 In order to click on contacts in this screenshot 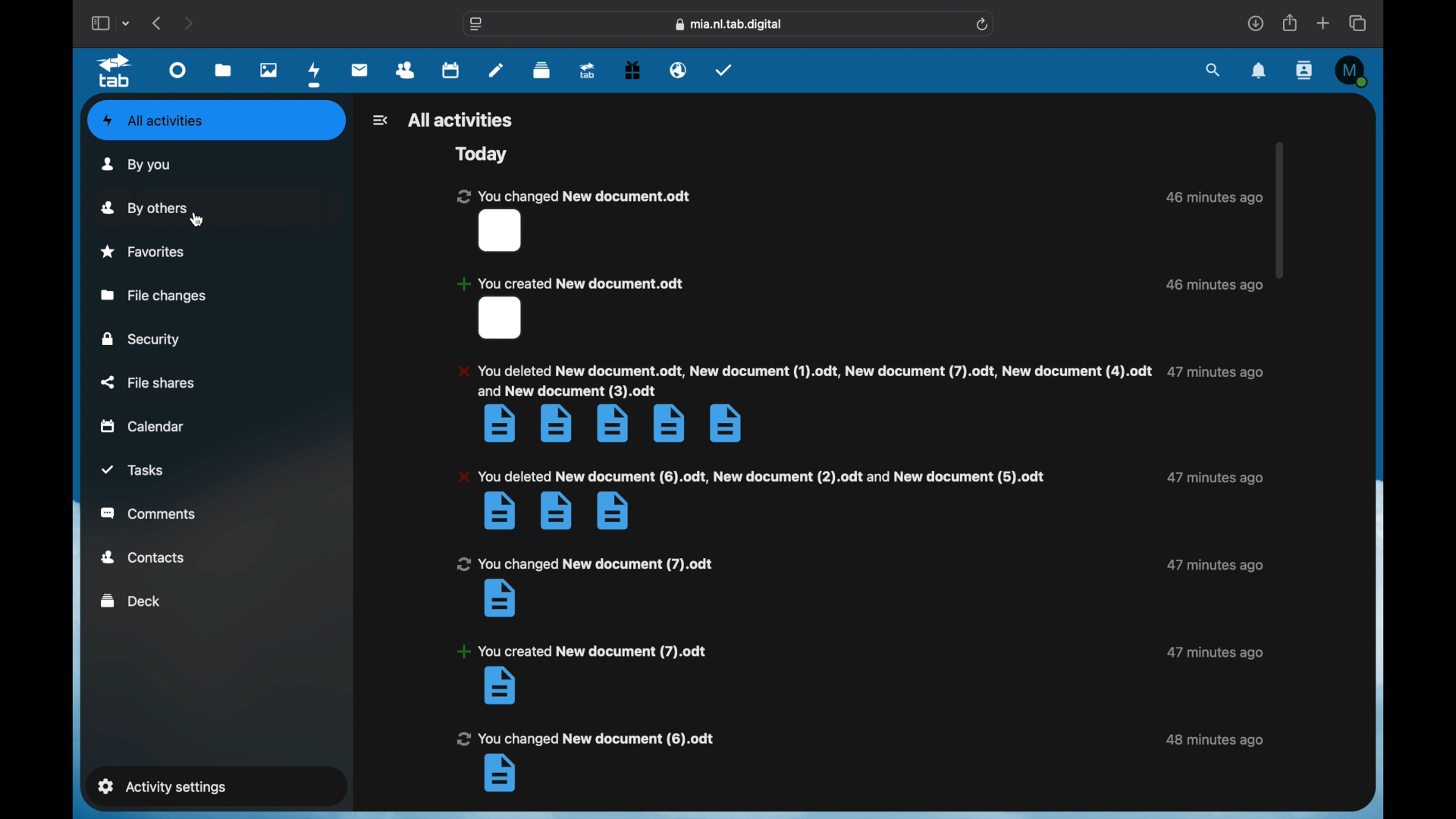, I will do `click(1304, 71)`.